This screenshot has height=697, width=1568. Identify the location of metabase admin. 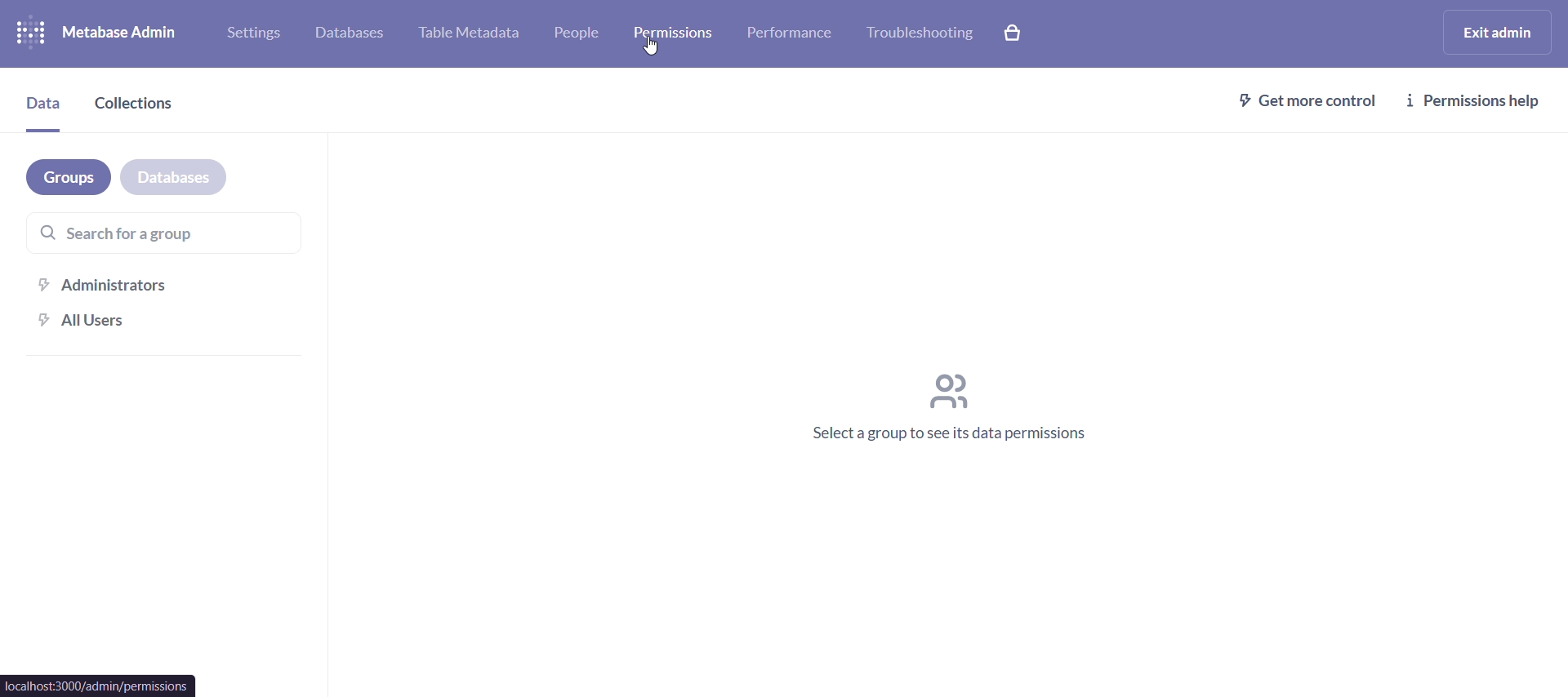
(124, 31).